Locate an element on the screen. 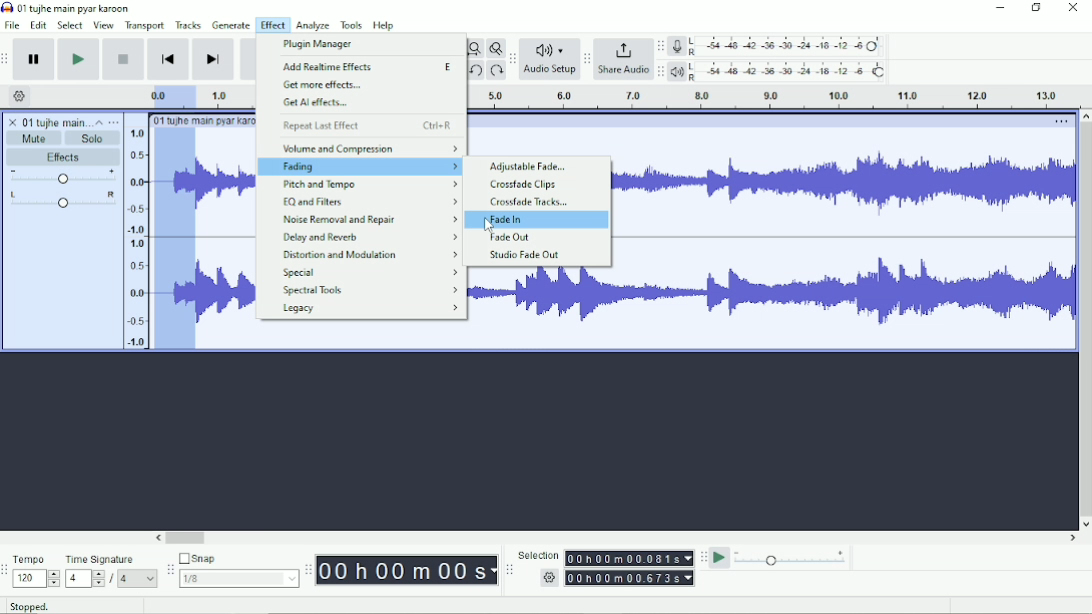  / is located at coordinates (113, 579).